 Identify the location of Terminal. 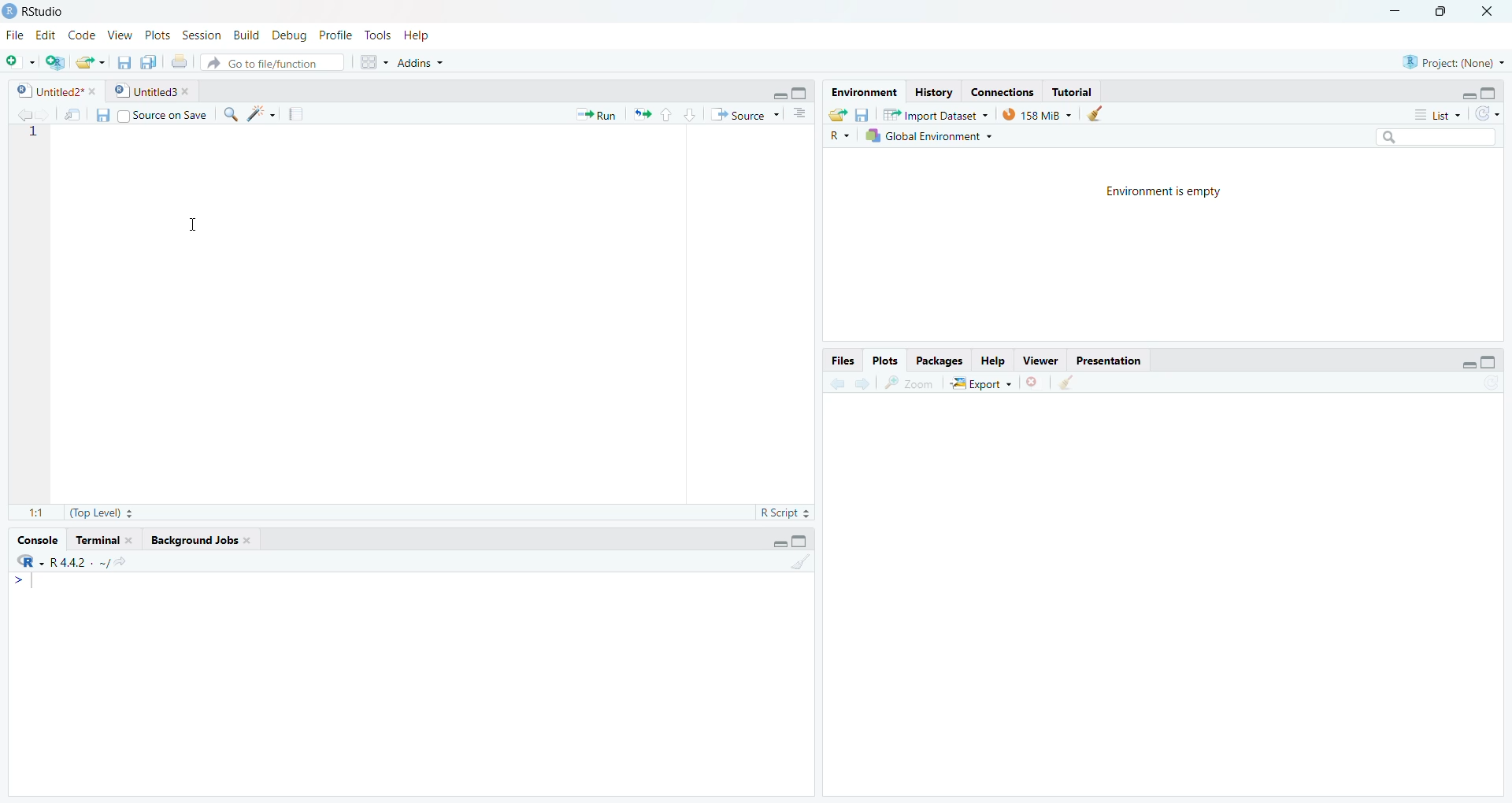
(105, 538).